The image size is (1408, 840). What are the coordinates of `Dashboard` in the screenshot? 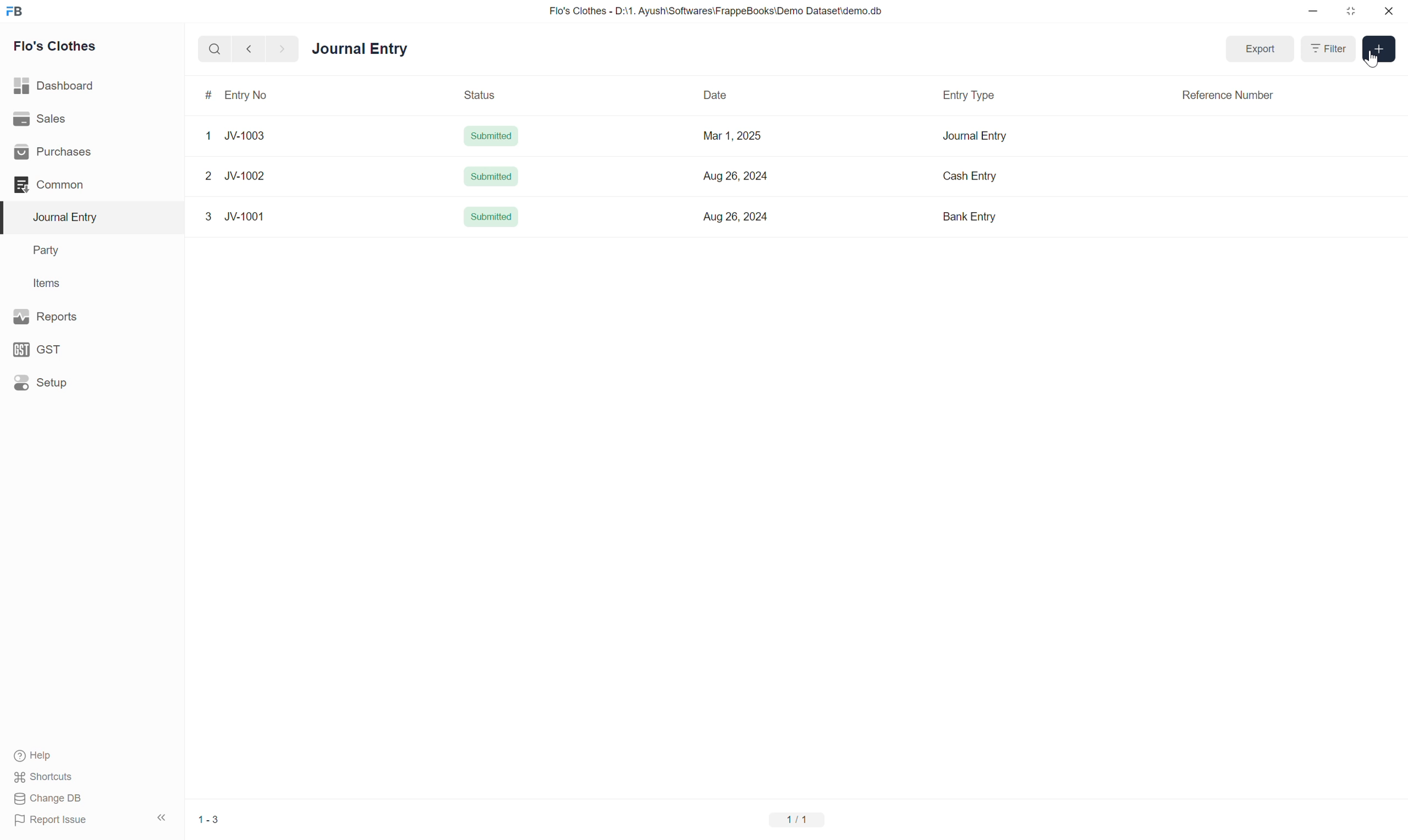 It's located at (55, 85).